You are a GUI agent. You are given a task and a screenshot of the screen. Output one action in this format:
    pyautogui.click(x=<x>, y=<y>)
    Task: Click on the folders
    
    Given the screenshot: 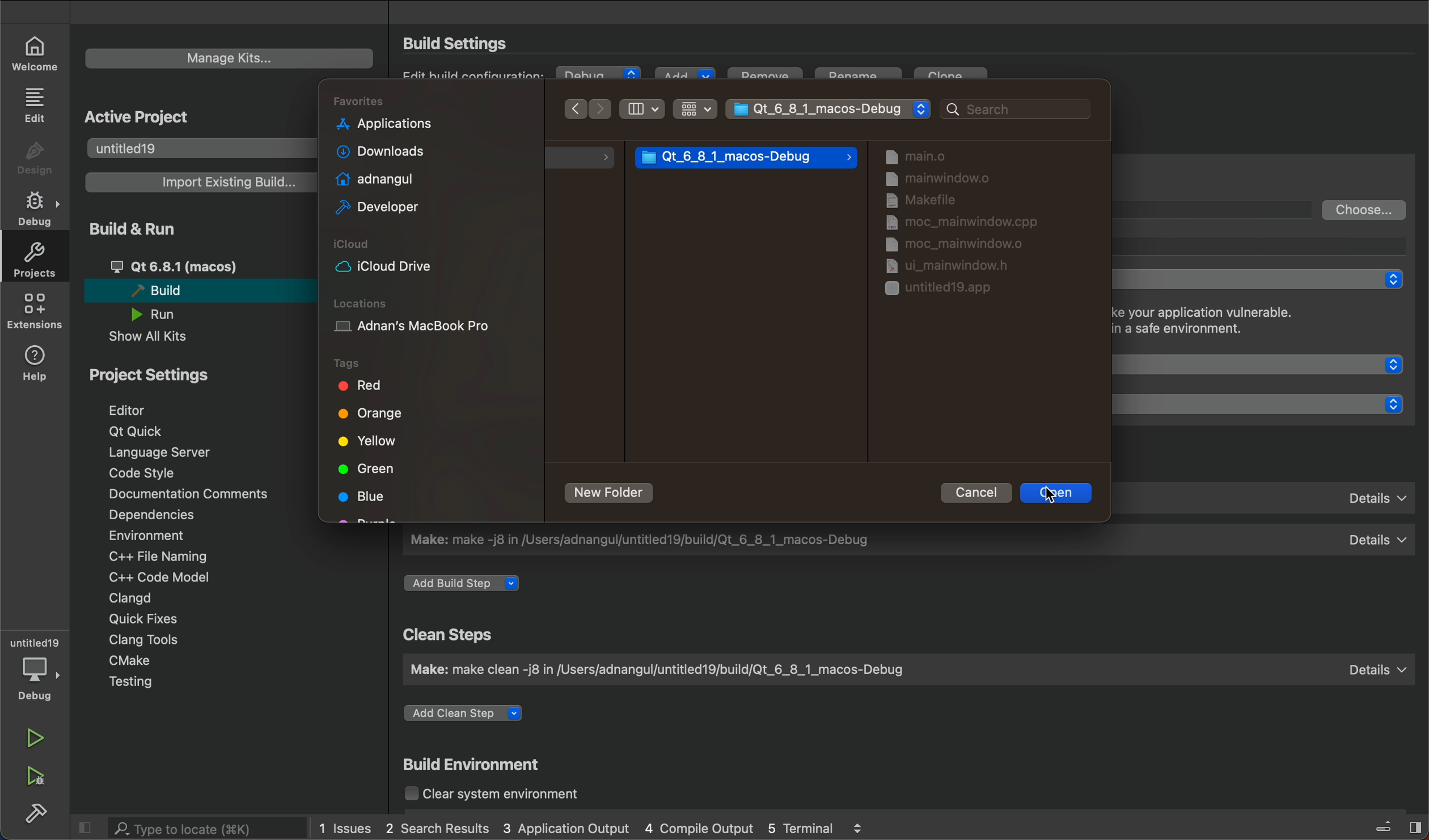 What is the action you would take?
    pyautogui.click(x=431, y=99)
    